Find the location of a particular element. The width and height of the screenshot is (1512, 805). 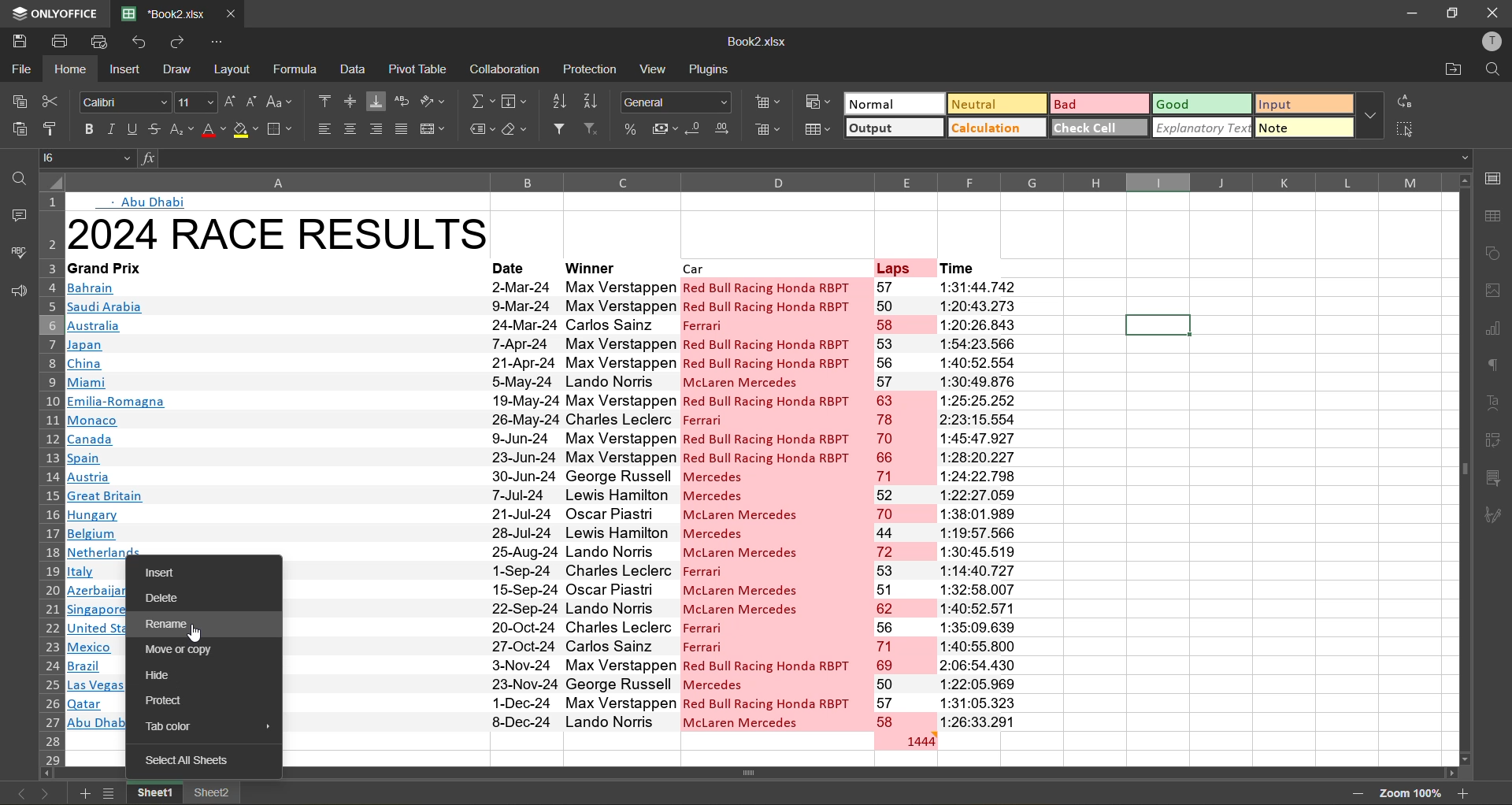

decrease decimal is located at coordinates (695, 130).